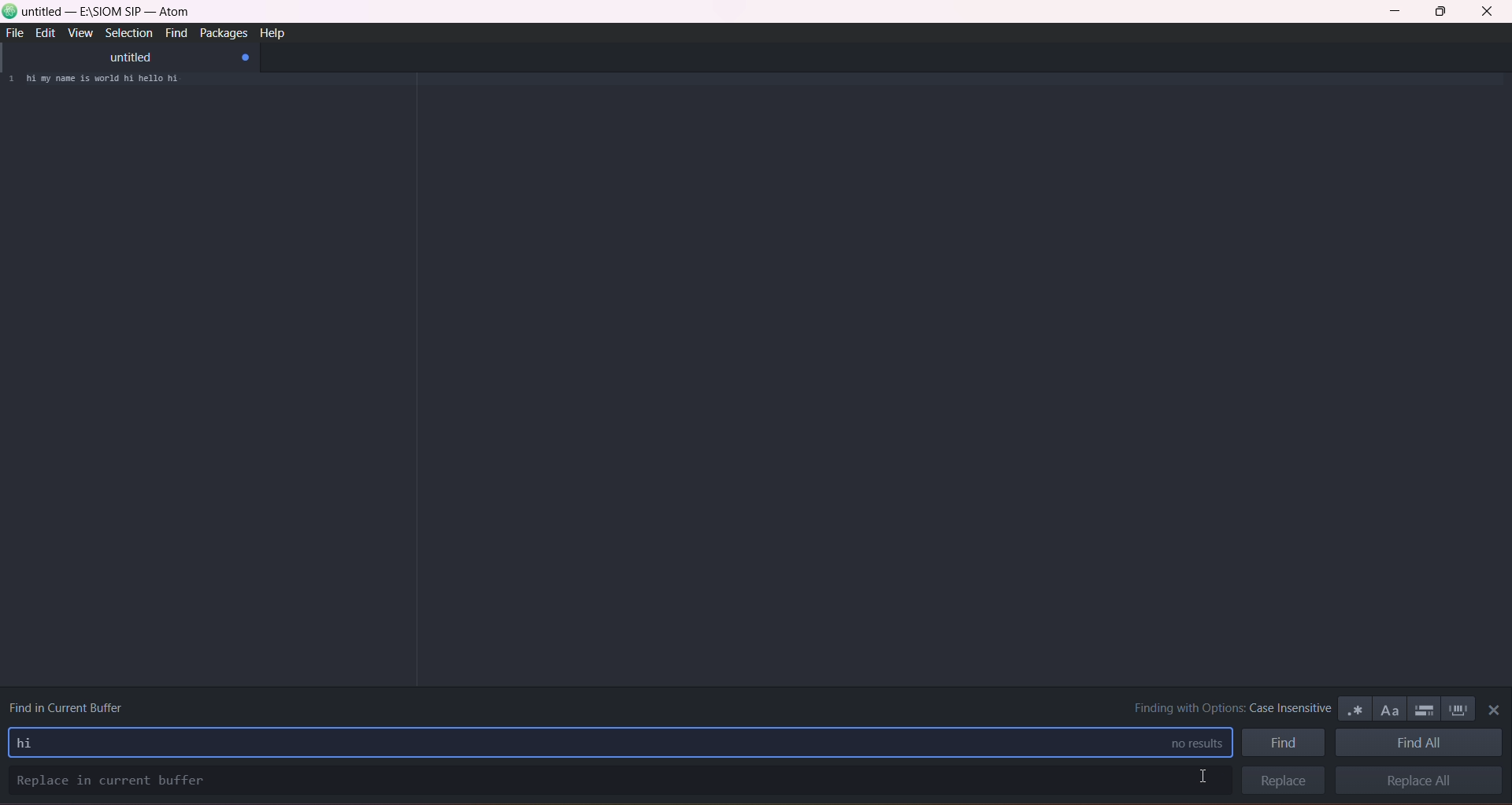 Image resolution: width=1512 pixels, height=805 pixels. I want to click on edit, so click(44, 33).